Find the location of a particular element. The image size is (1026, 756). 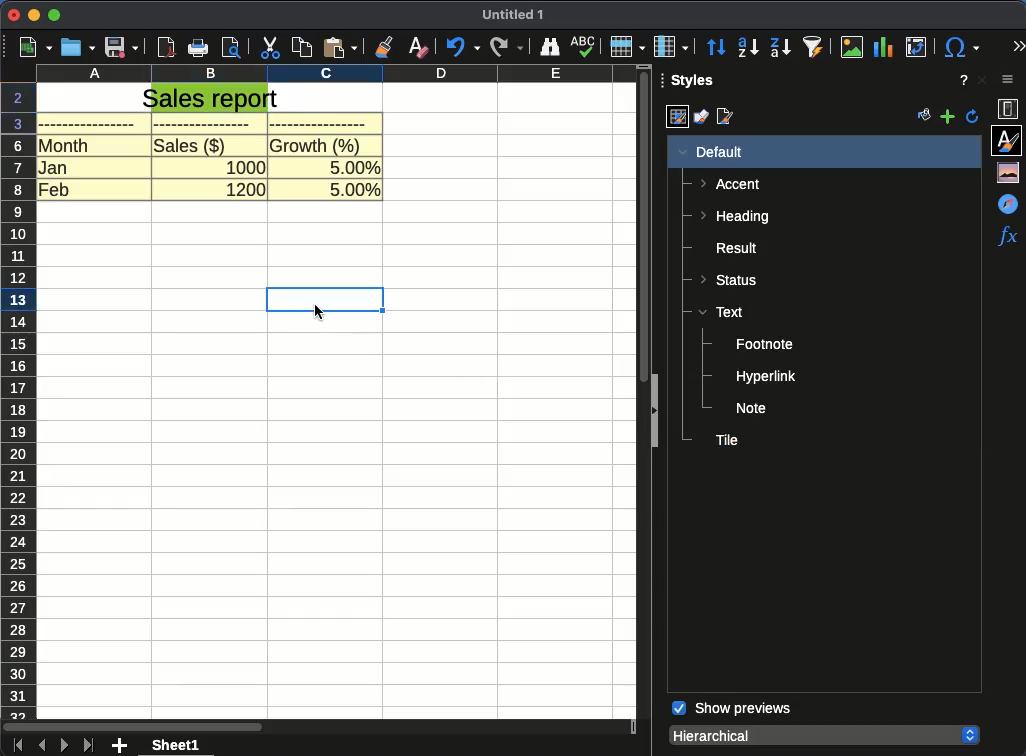

sidebar is located at coordinates (1012, 81).